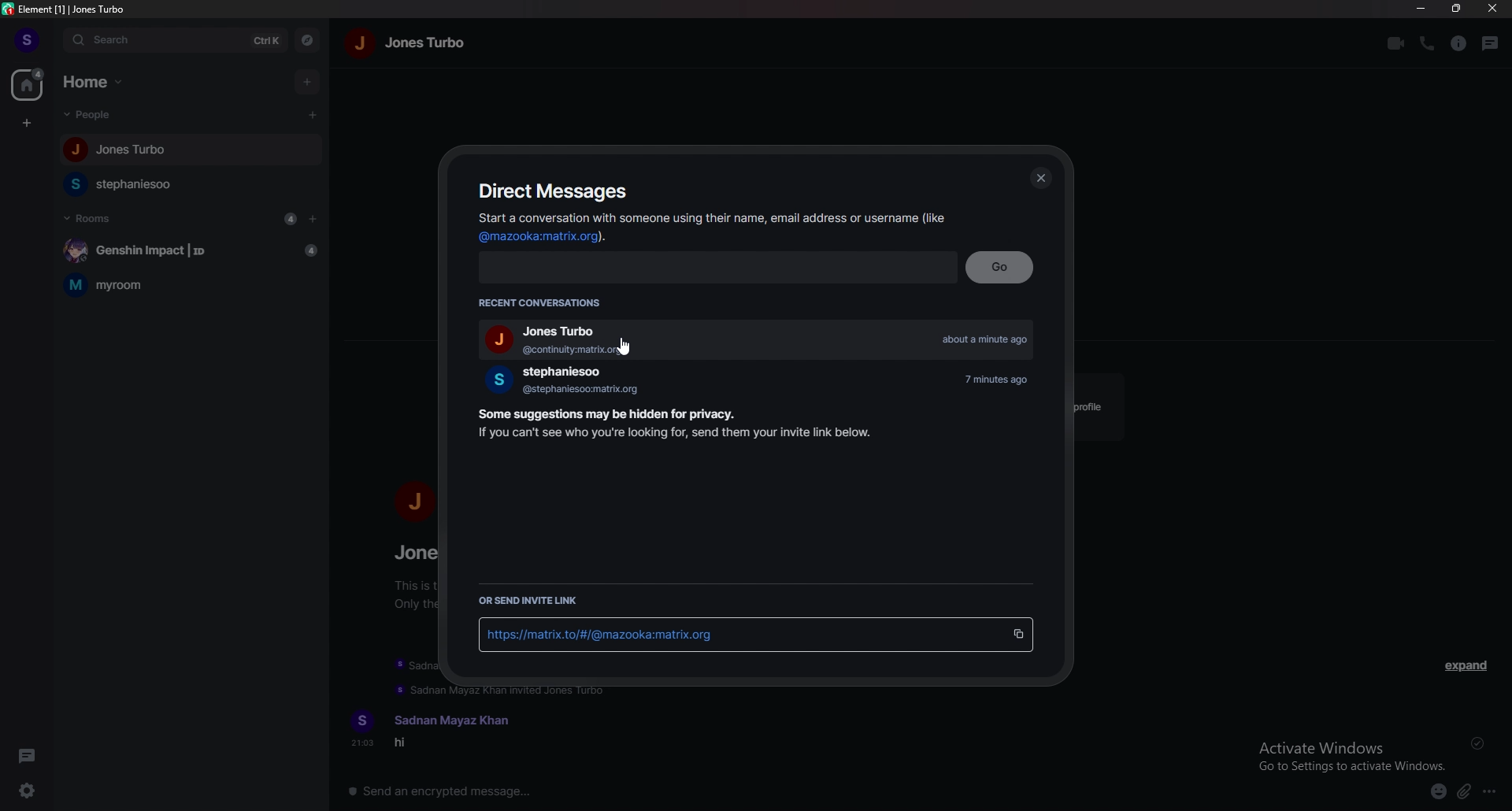 This screenshot has height=811, width=1512. Describe the element at coordinates (357, 746) in the screenshot. I see `21:03` at that location.